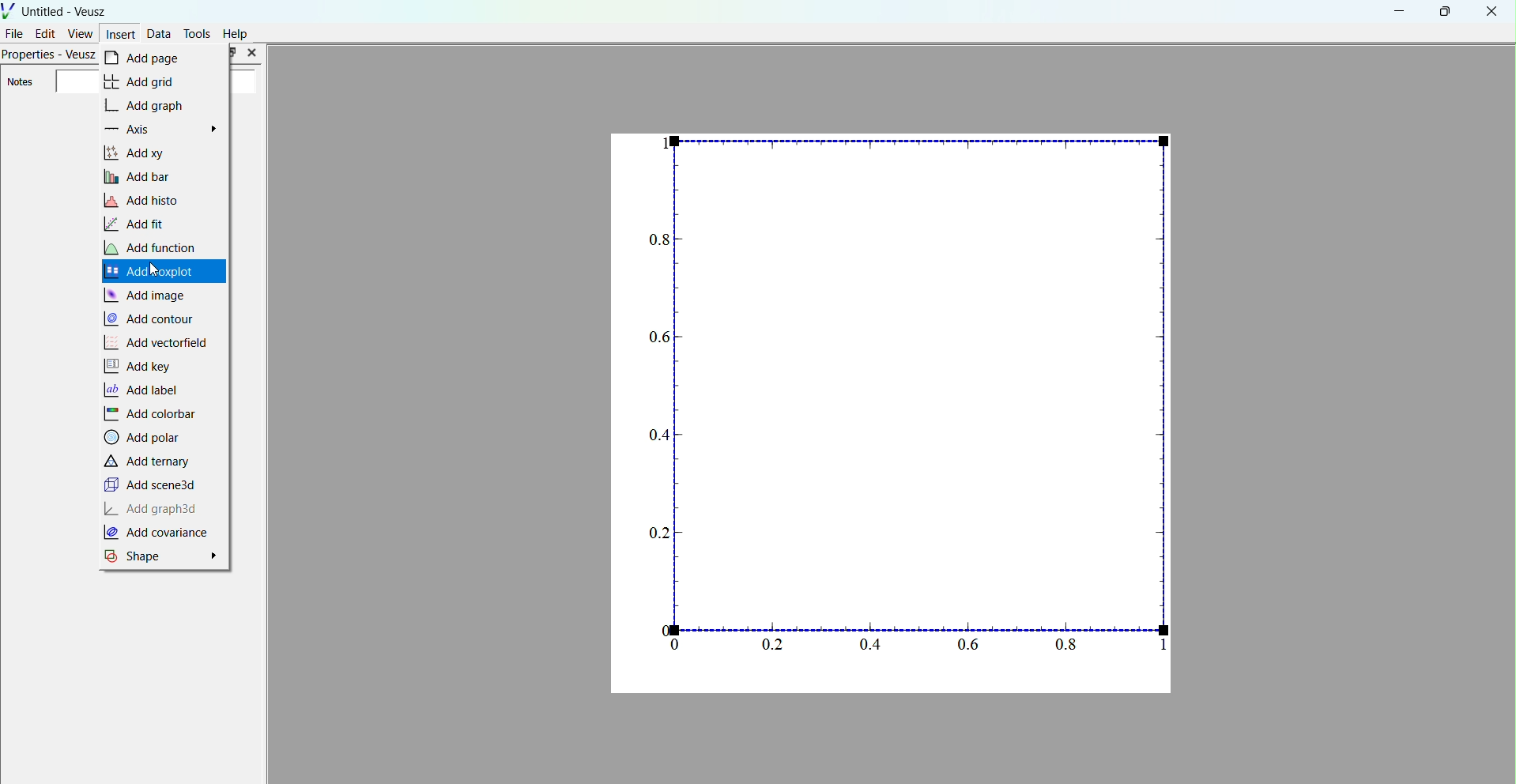 Image resolution: width=1516 pixels, height=784 pixels. What do you see at coordinates (142, 366) in the screenshot?
I see `Add key` at bounding box center [142, 366].